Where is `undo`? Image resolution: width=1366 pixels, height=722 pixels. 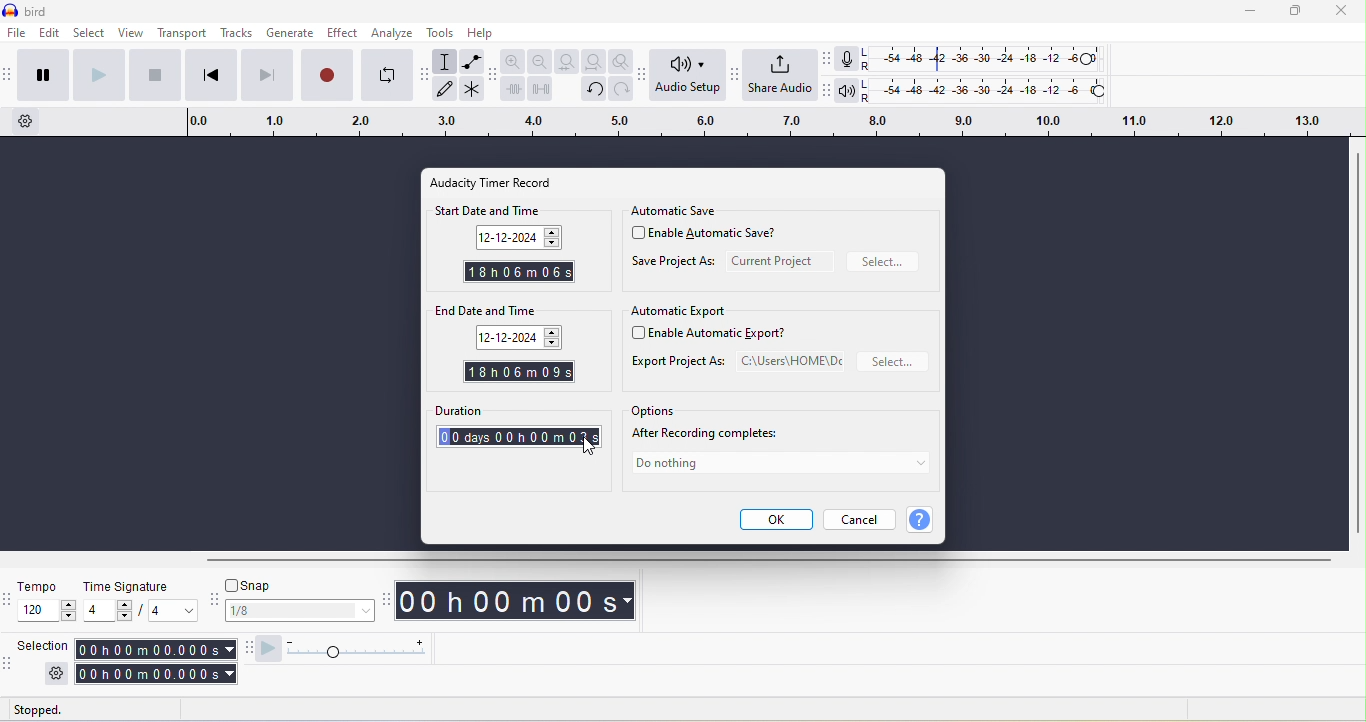 undo is located at coordinates (594, 89).